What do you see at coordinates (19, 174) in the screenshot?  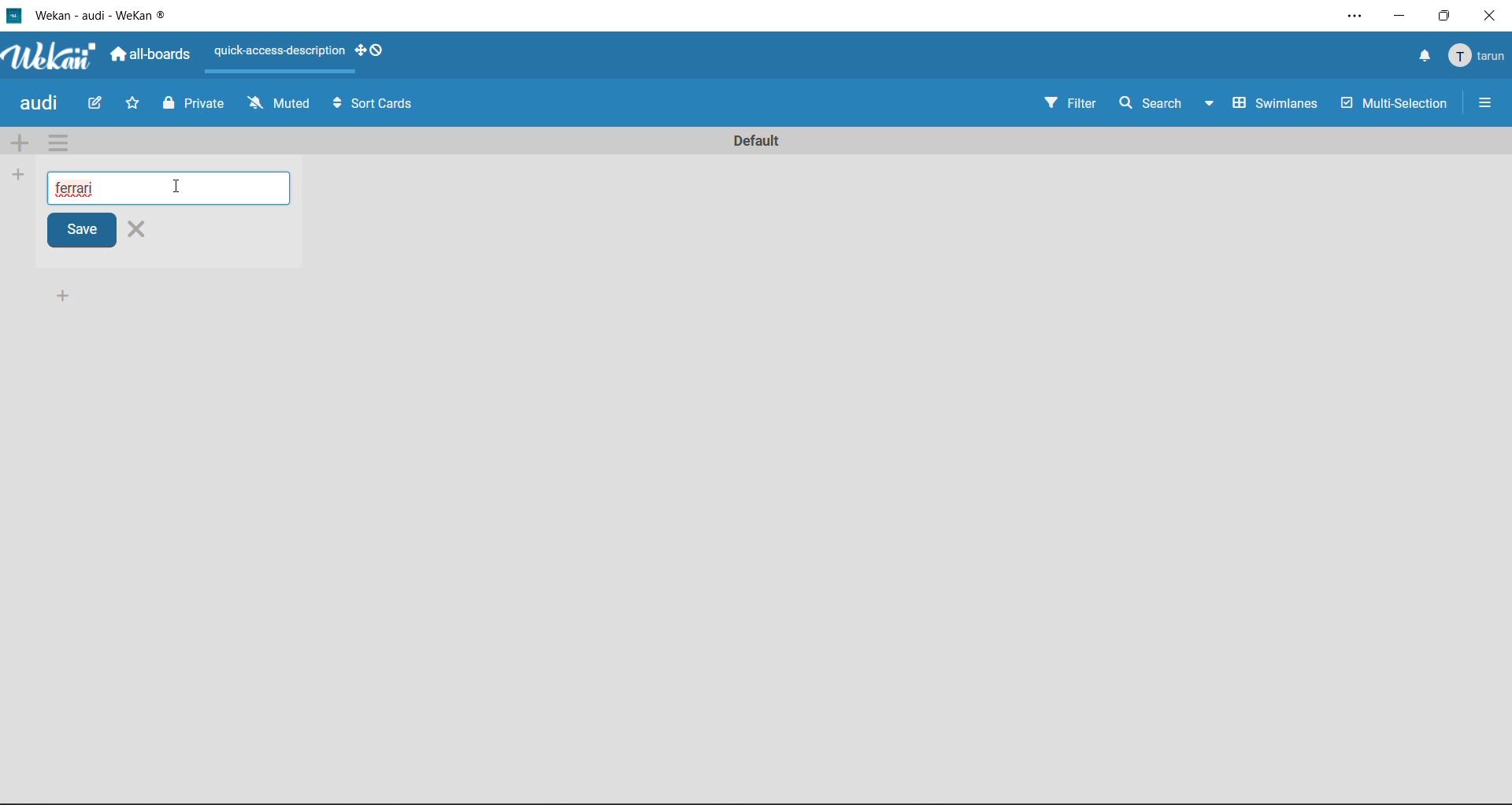 I see `add list` at bounding box center [19, 174].